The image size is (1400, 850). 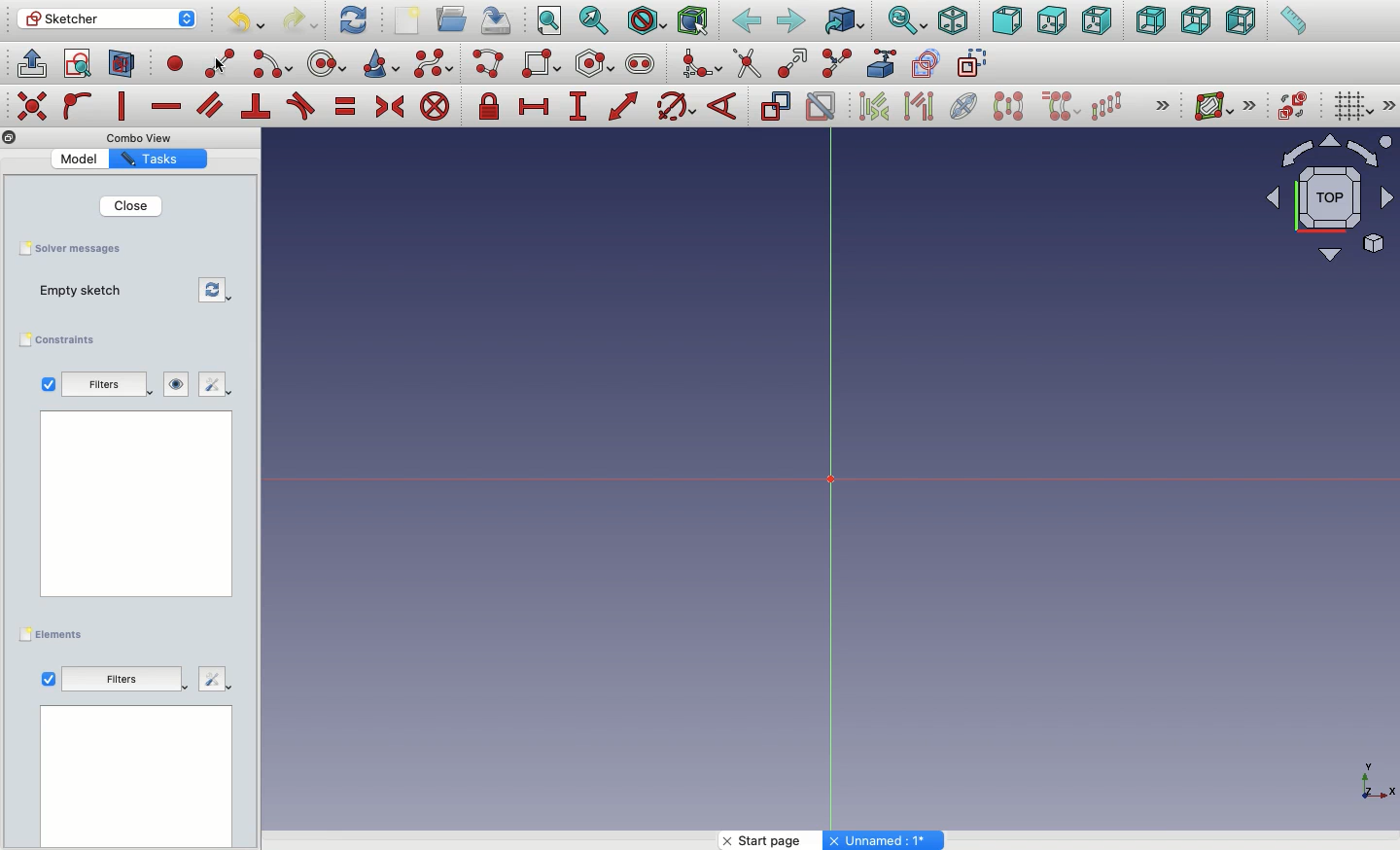 I want to click on Draw style, so click(x=647, y=20).